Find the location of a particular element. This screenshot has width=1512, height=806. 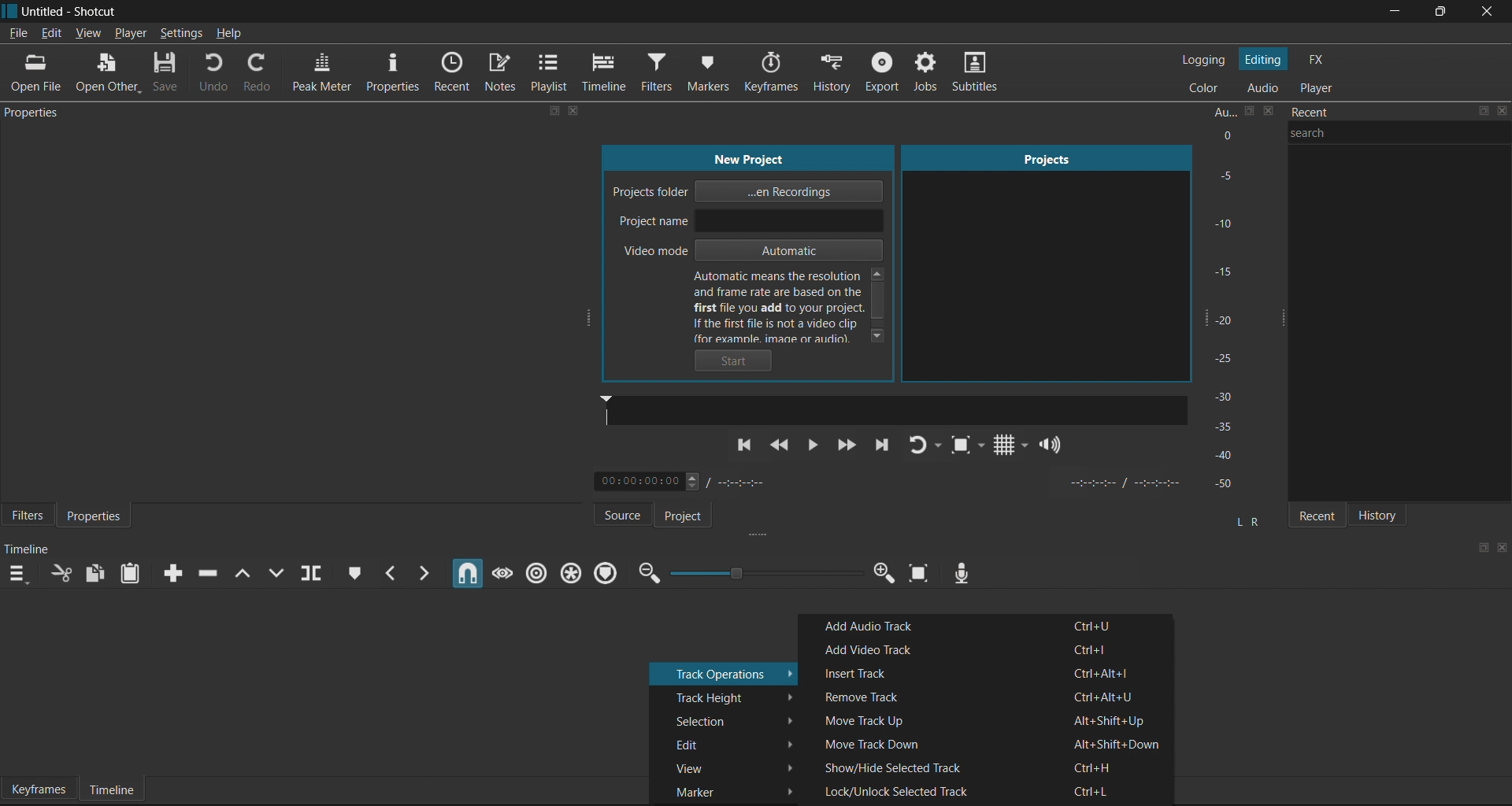

Create/Edit Marker is located at coordinates (350, 571).